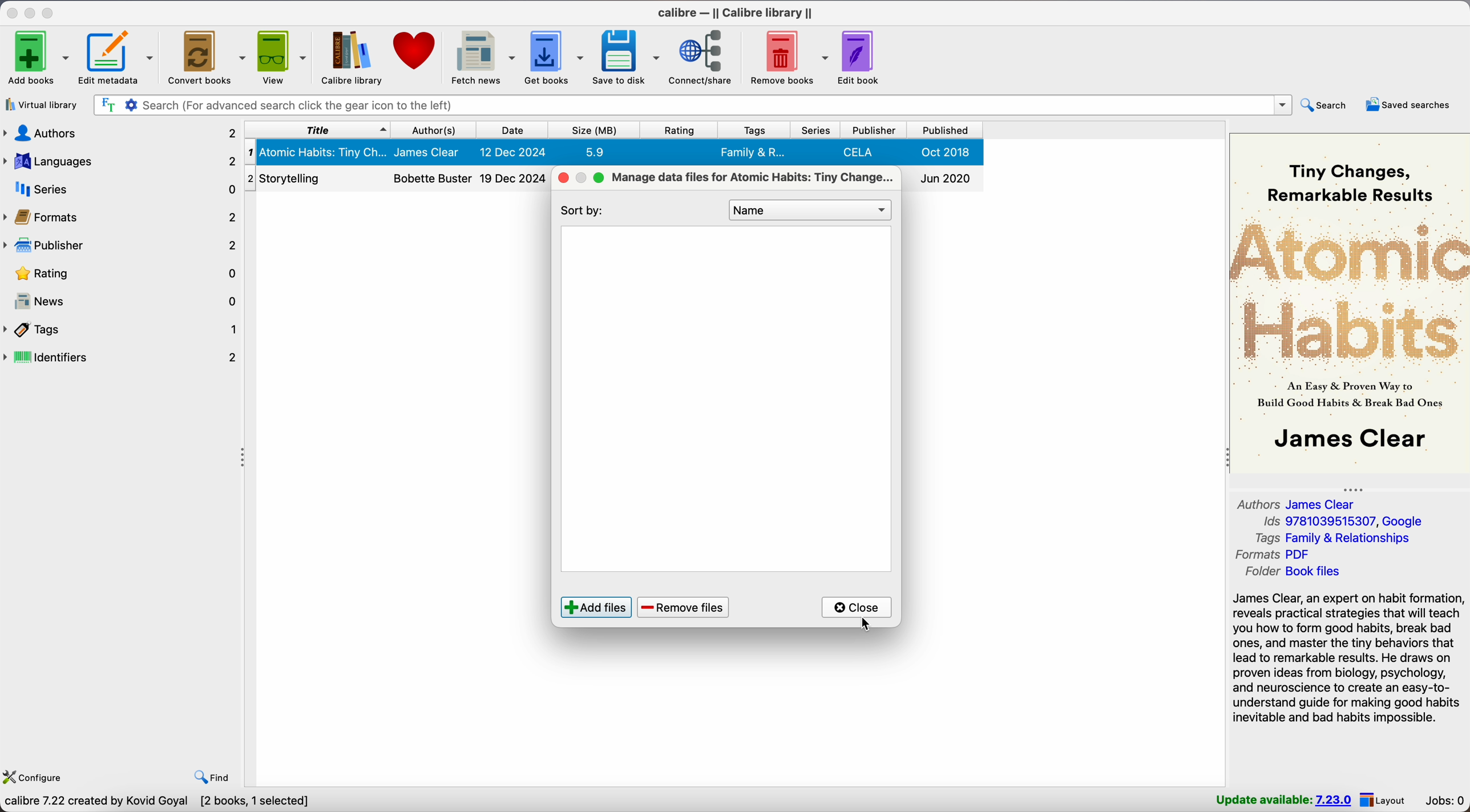  Describe the element at coordinates (595, 130) in the screenshot. I see `size` at that location.